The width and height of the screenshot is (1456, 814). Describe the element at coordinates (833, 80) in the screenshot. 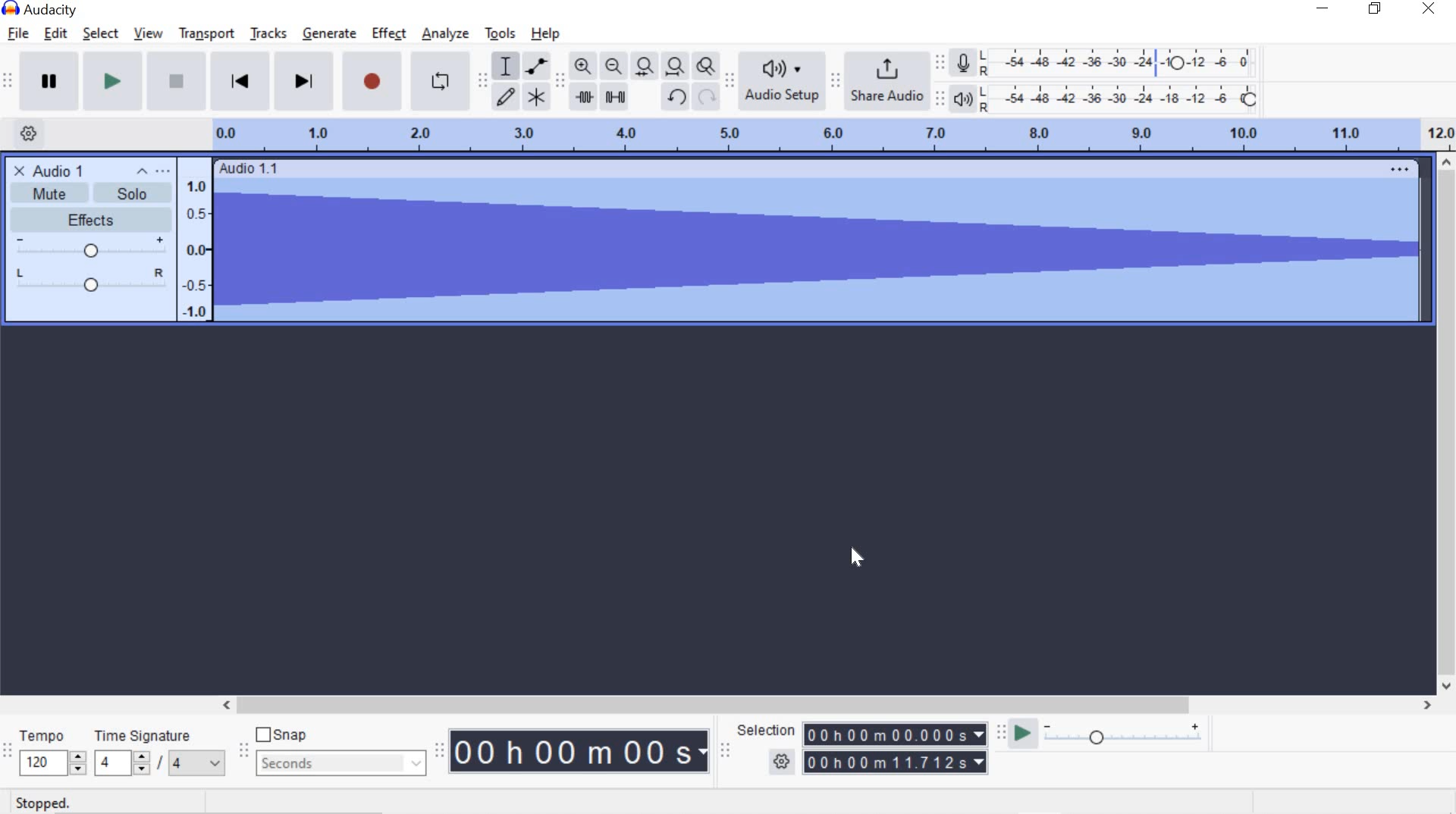

I see `Share audio toolbar` at that location.